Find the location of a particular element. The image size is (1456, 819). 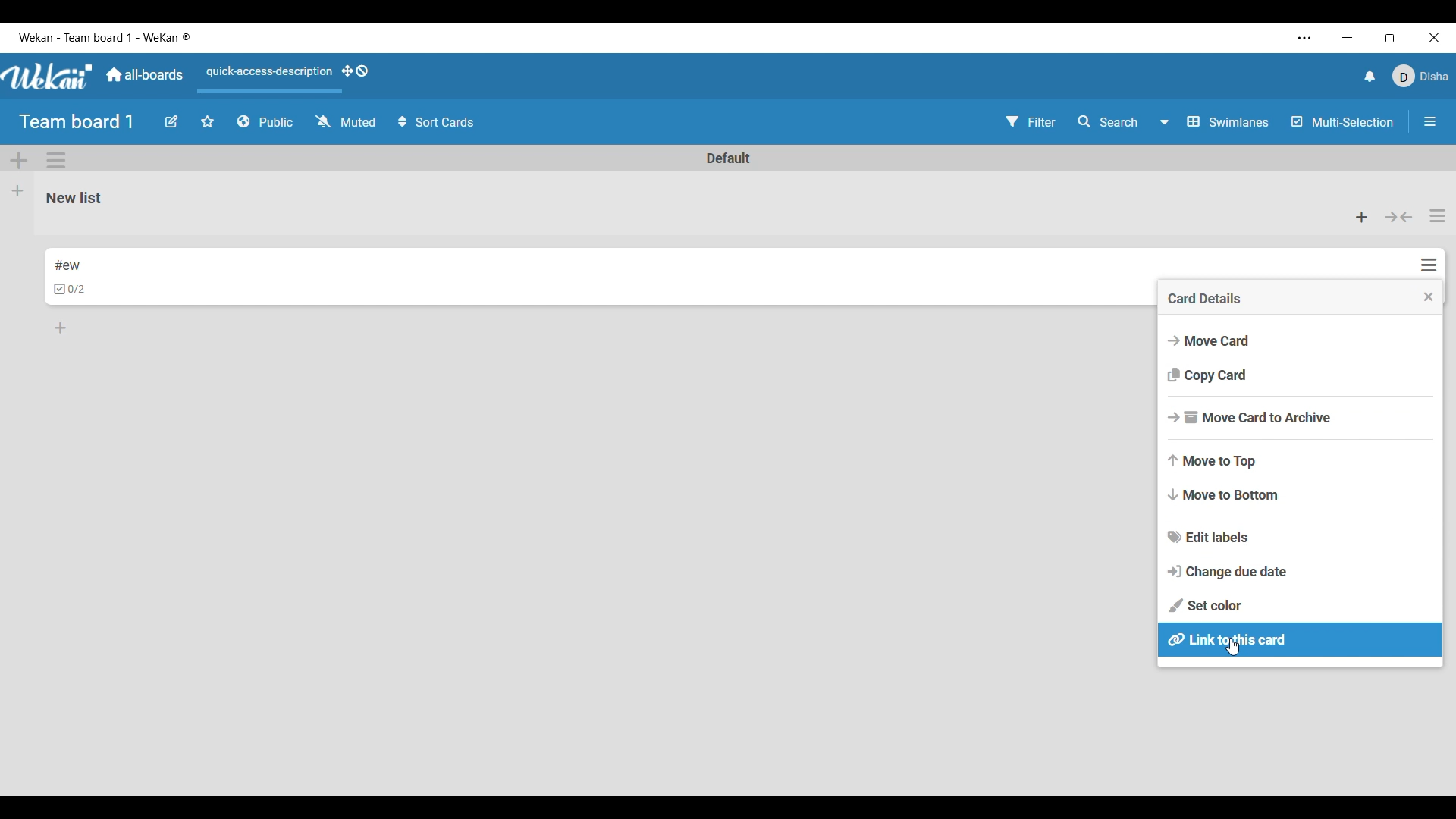

Main dashboard is located at coordinates (145, 75).